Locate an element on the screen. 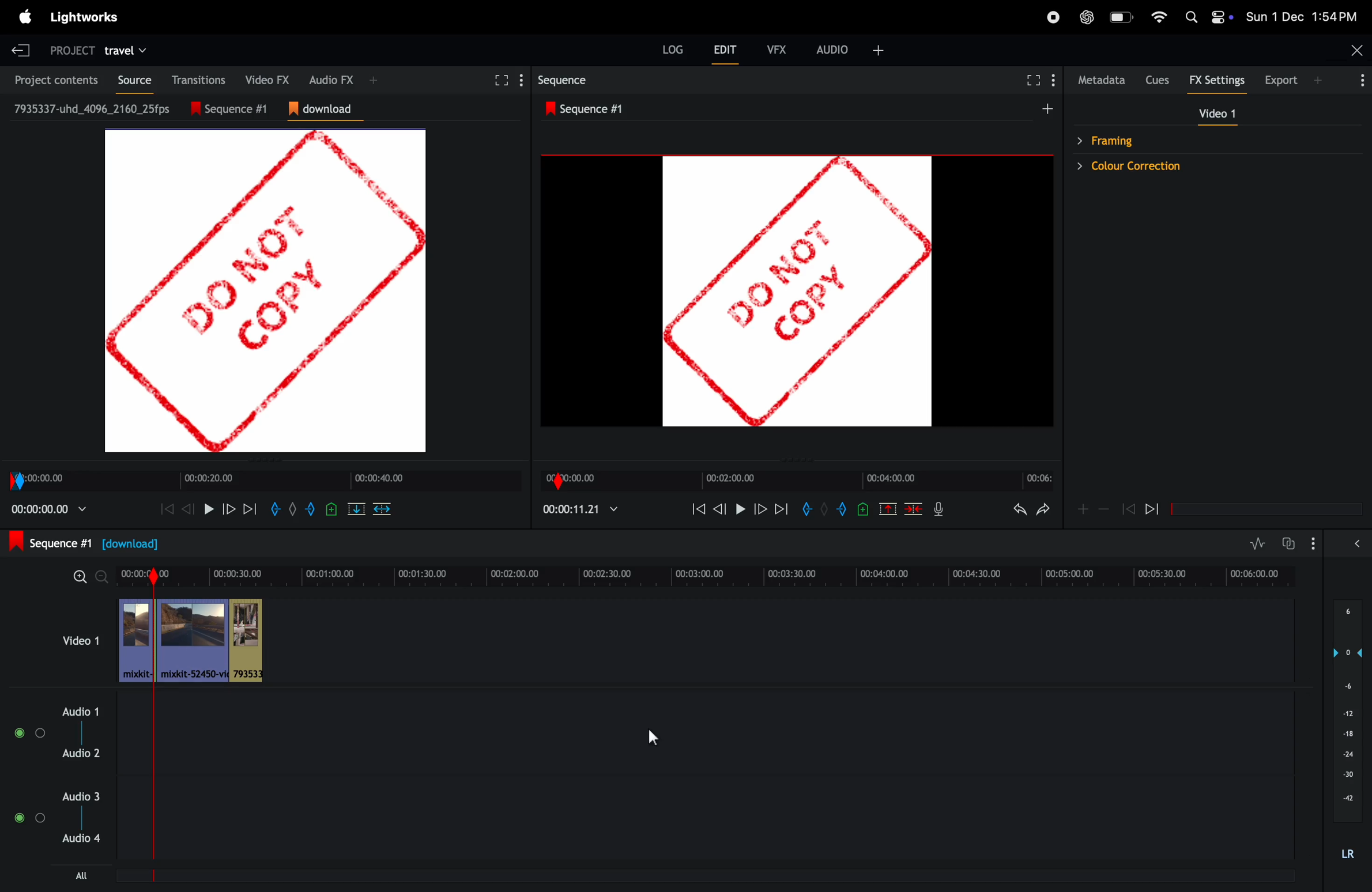  time frame is located at coordinates (797, 481).